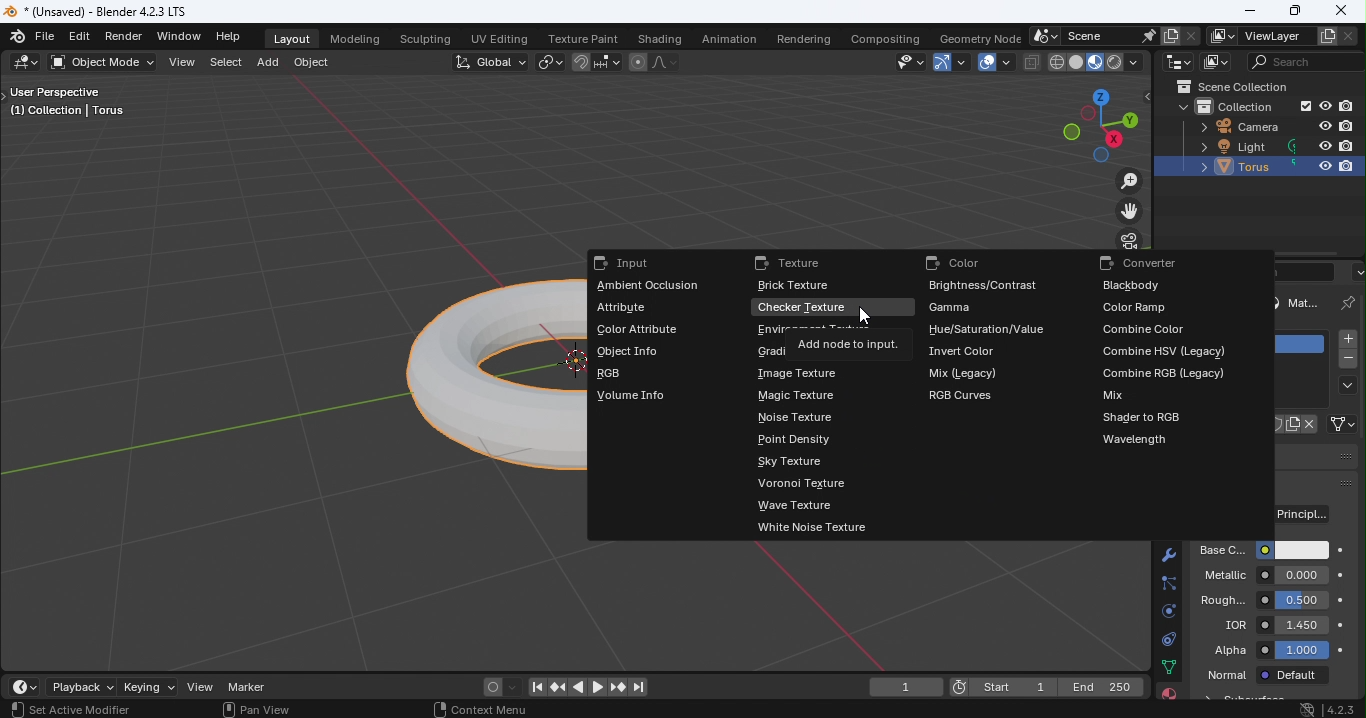  Describe the element at coordinates (1077, 62) in the screenshot. I see `Viewport shading` at that location.